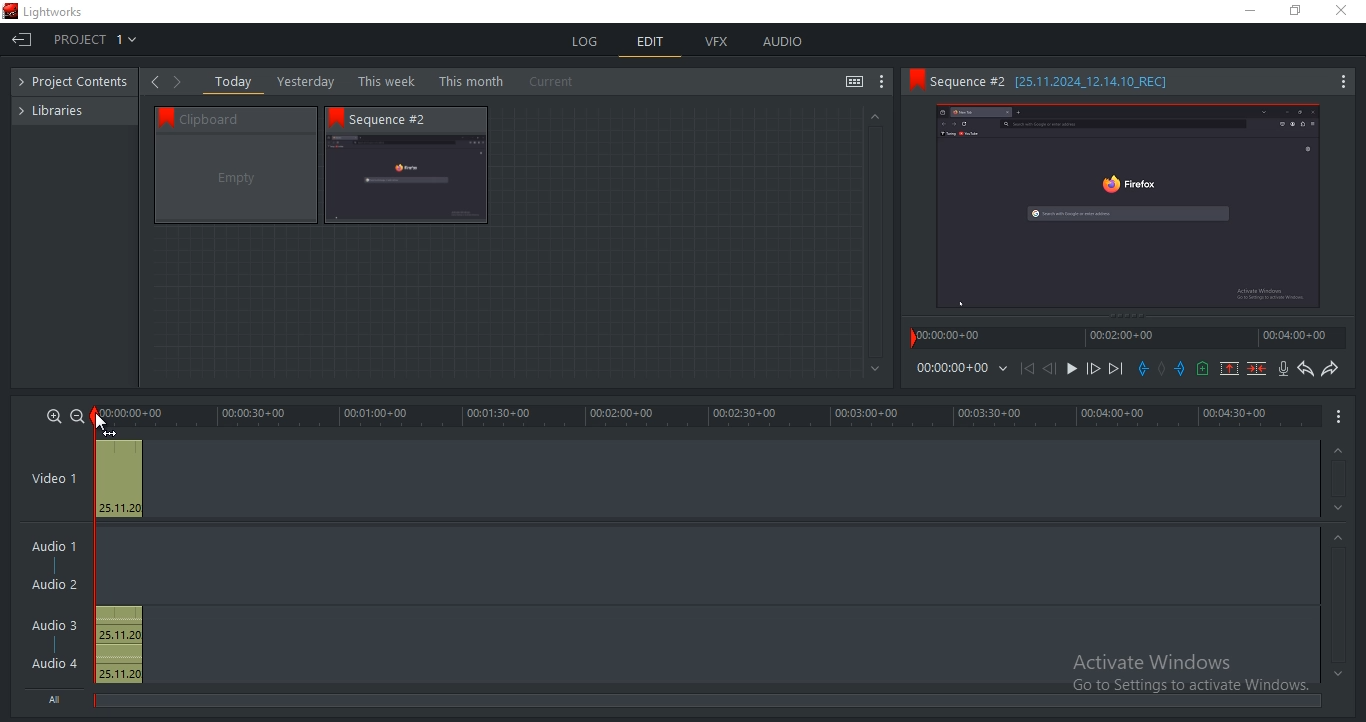 The height and width of the screenshot is (722, 1366). Describe the element at coordinates (119, 476) in the screenshot. I see `video` at that location.